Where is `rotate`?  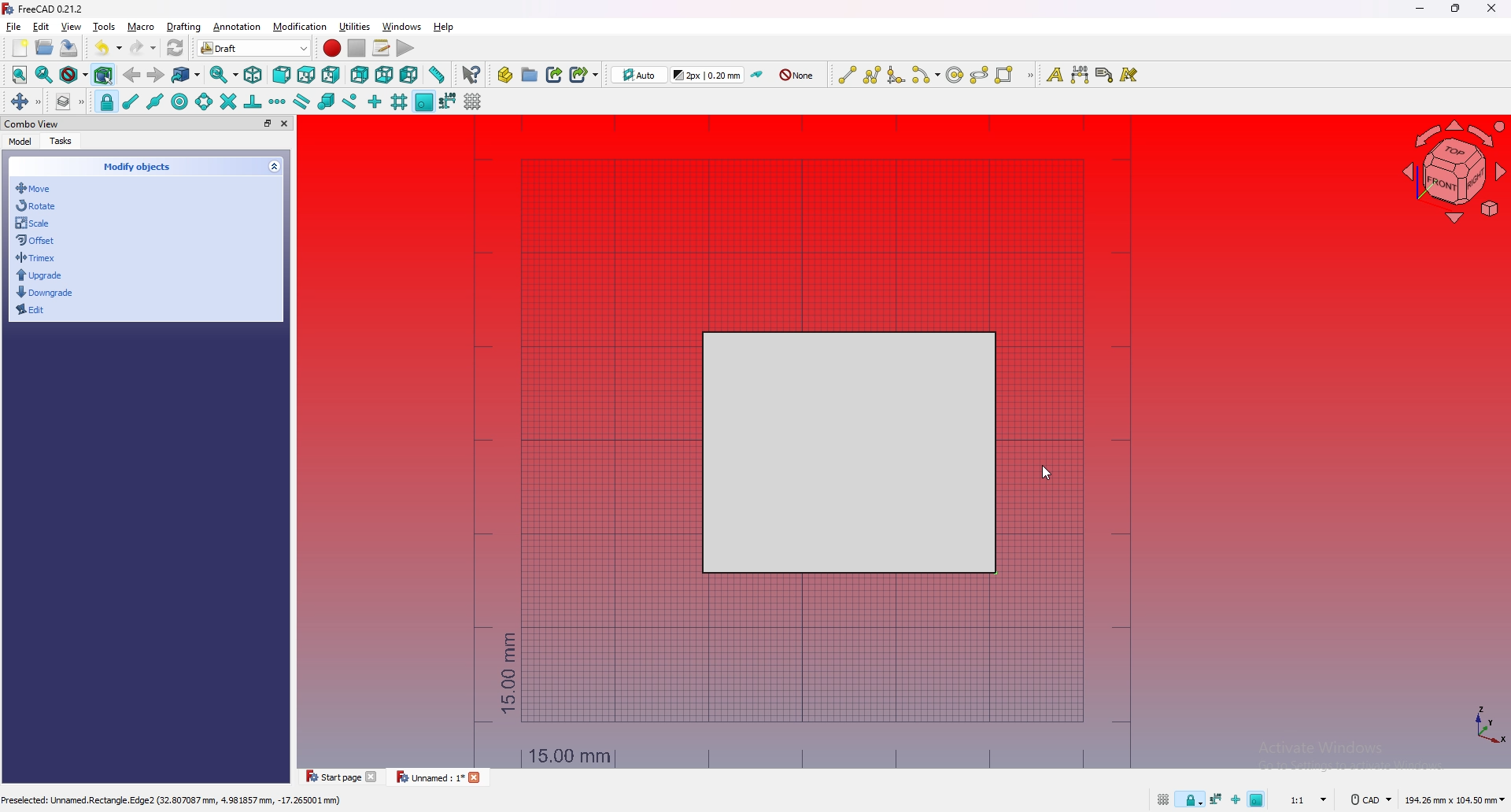
rotate is located at coordinates (39, 205).